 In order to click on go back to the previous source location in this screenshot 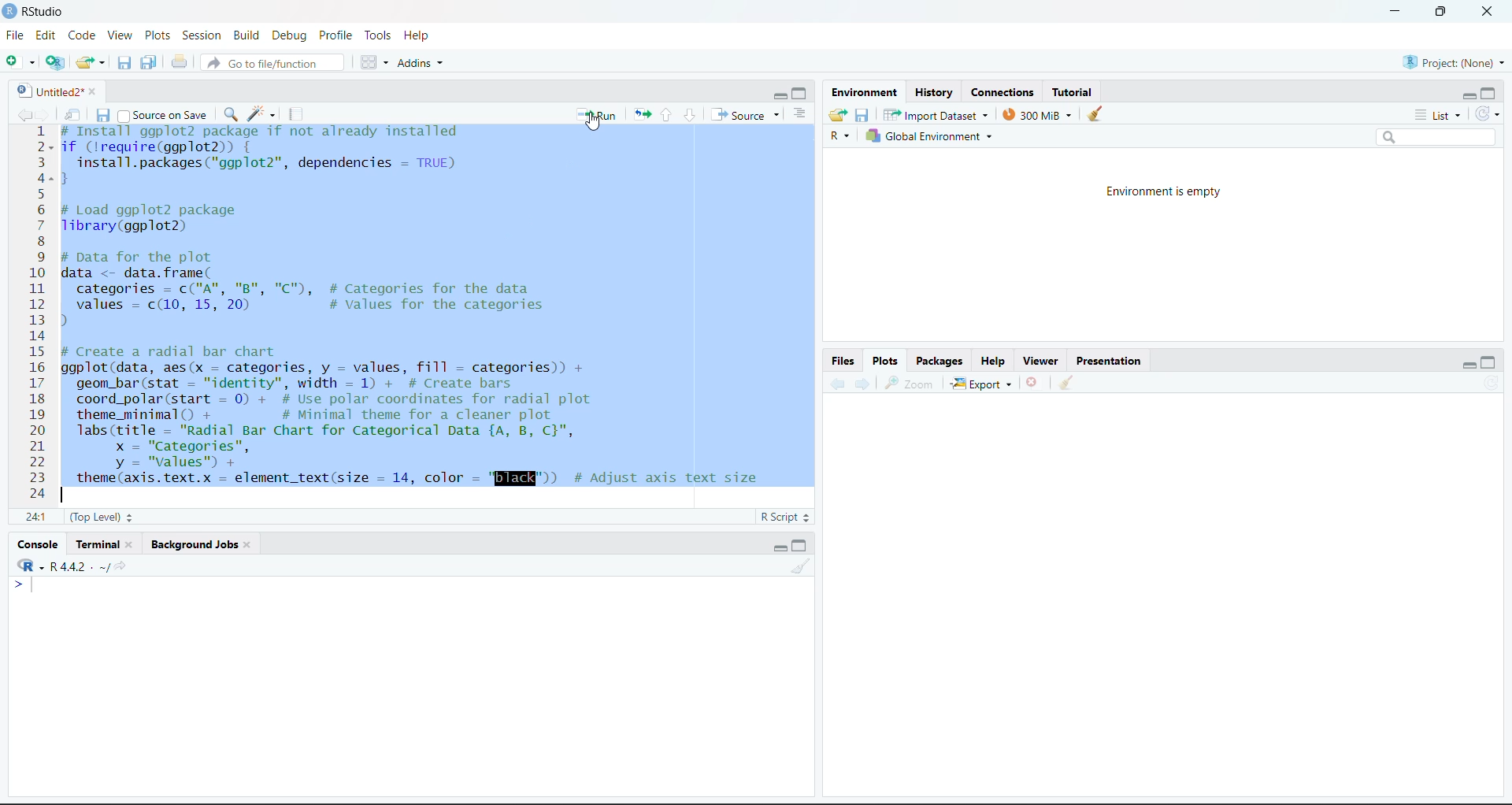, I will do `click(17, 113)`.